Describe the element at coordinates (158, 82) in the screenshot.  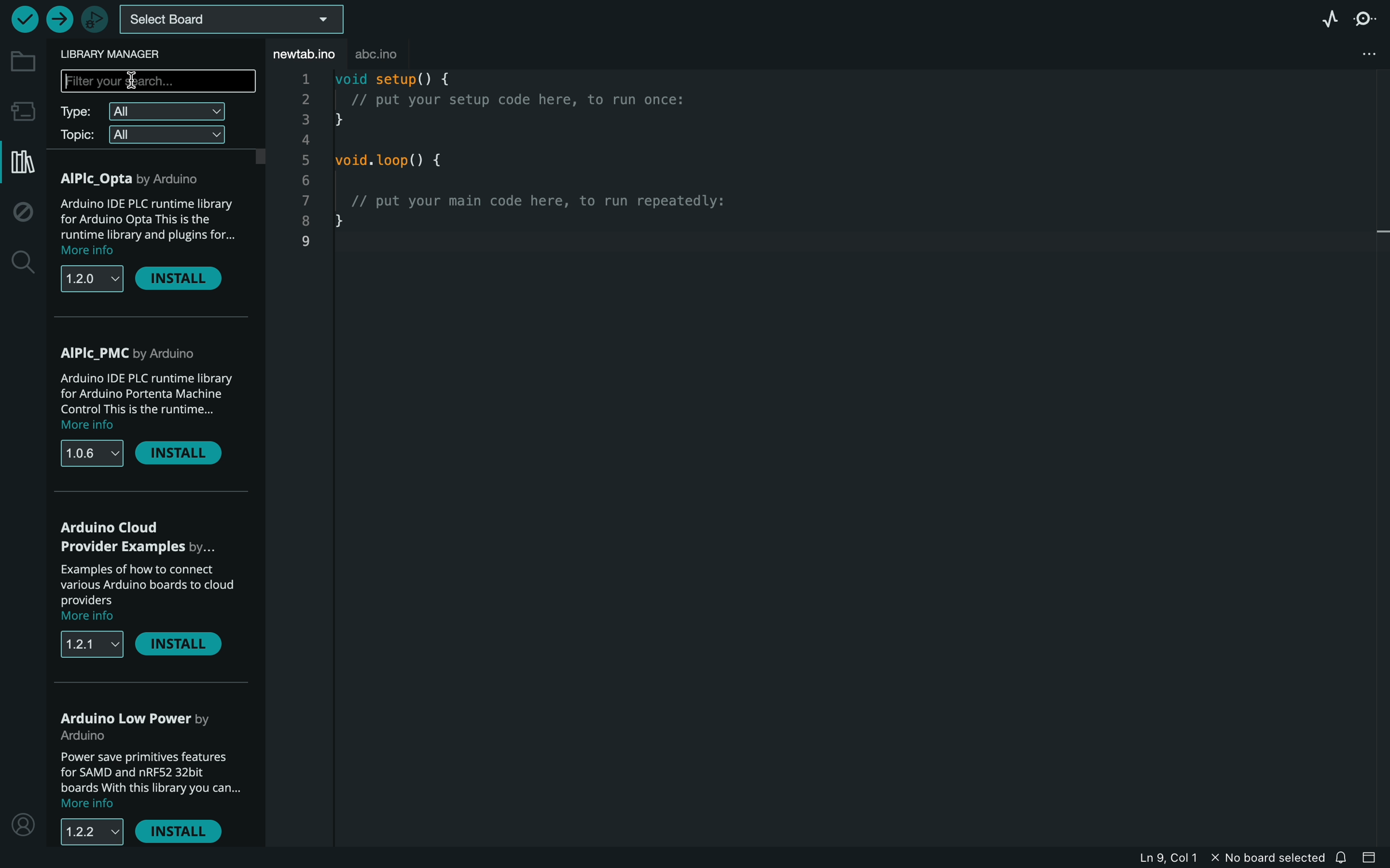
I see `search bar` at that location.